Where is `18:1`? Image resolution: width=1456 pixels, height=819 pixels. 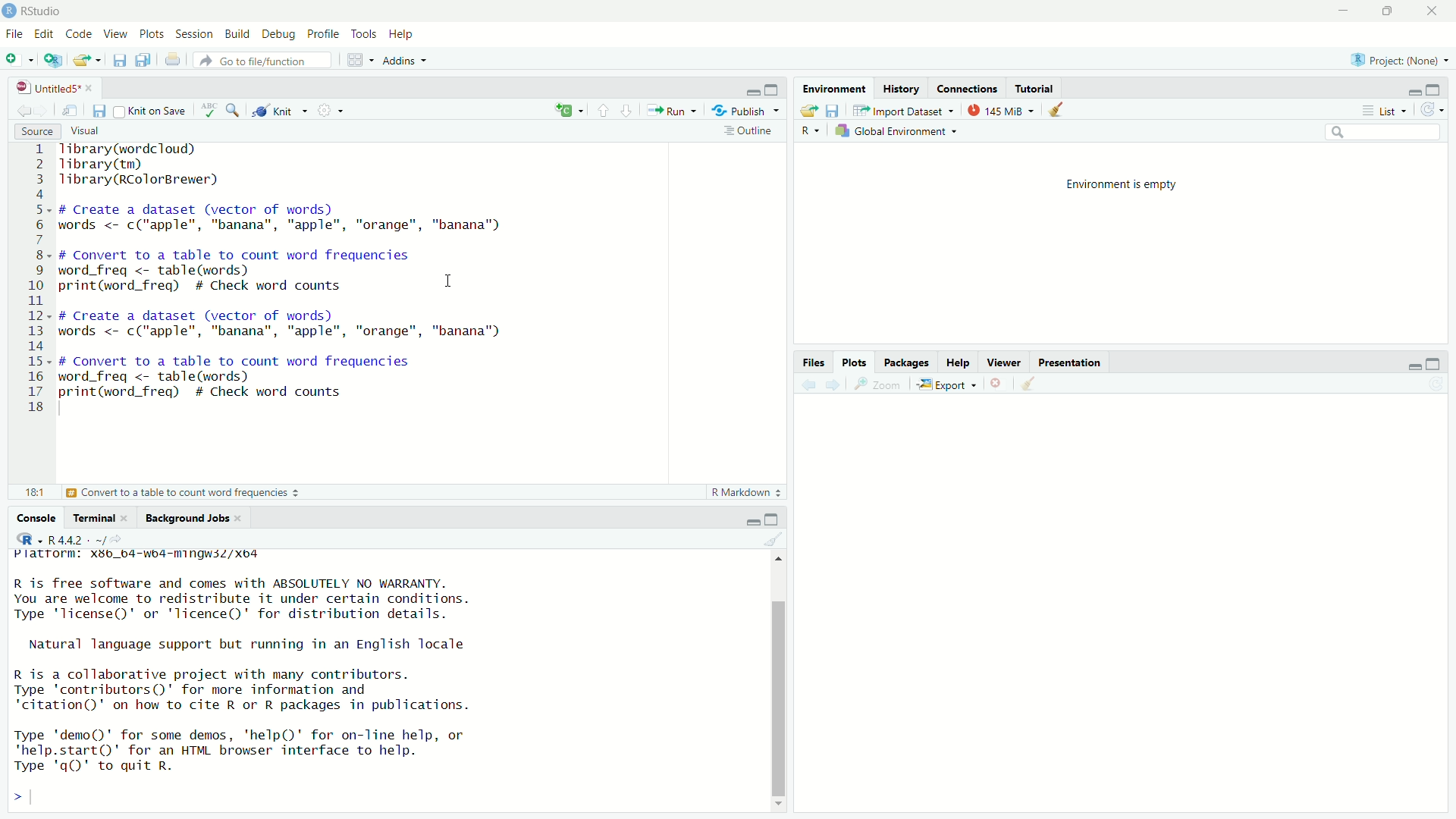
18:1 is located at coordinates (31, 491).